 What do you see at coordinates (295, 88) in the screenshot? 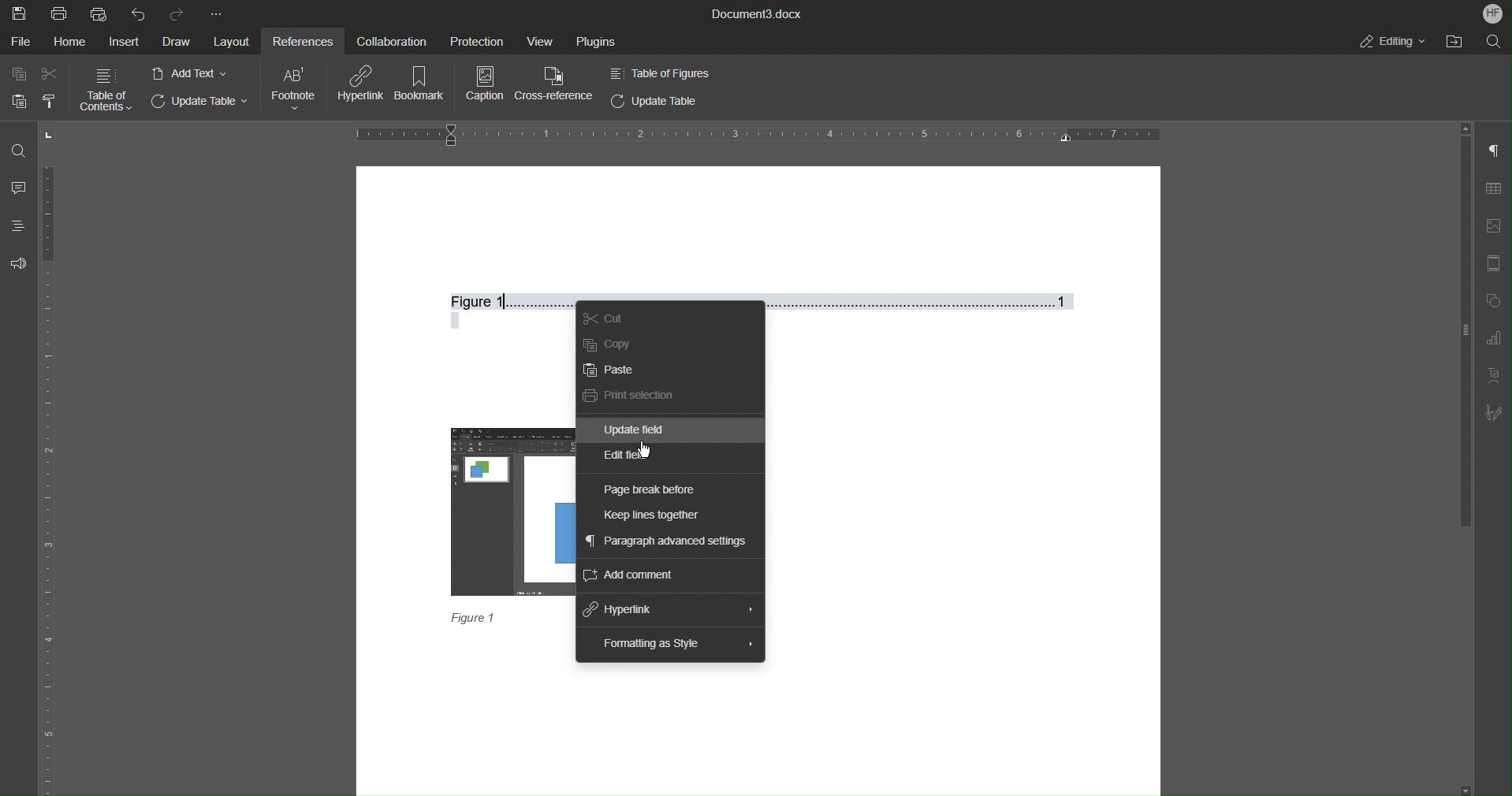
I see `Footnote` at bounding box center [295, 88].